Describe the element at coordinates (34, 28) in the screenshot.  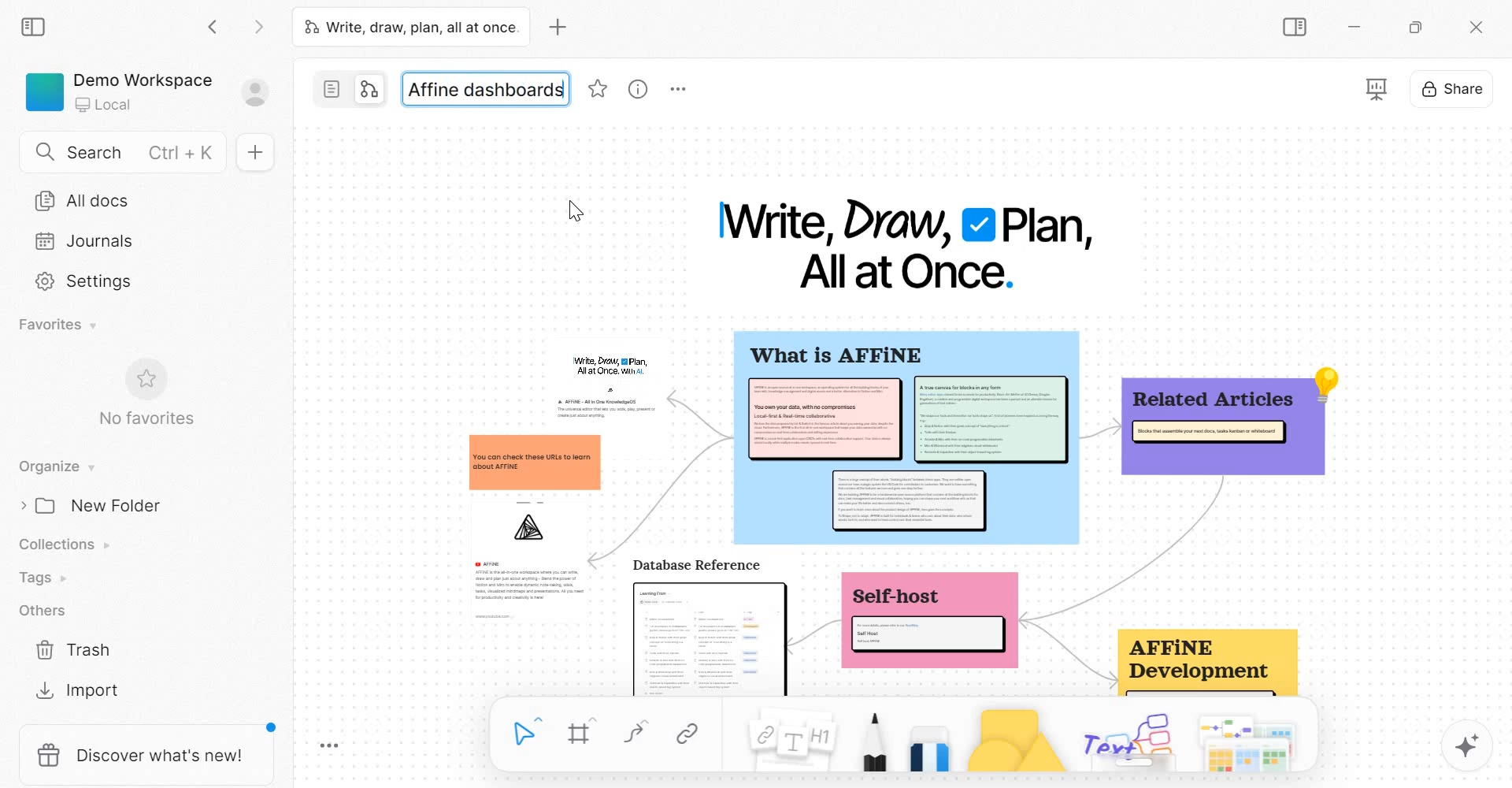
I see `collapse sidebar` at that location.